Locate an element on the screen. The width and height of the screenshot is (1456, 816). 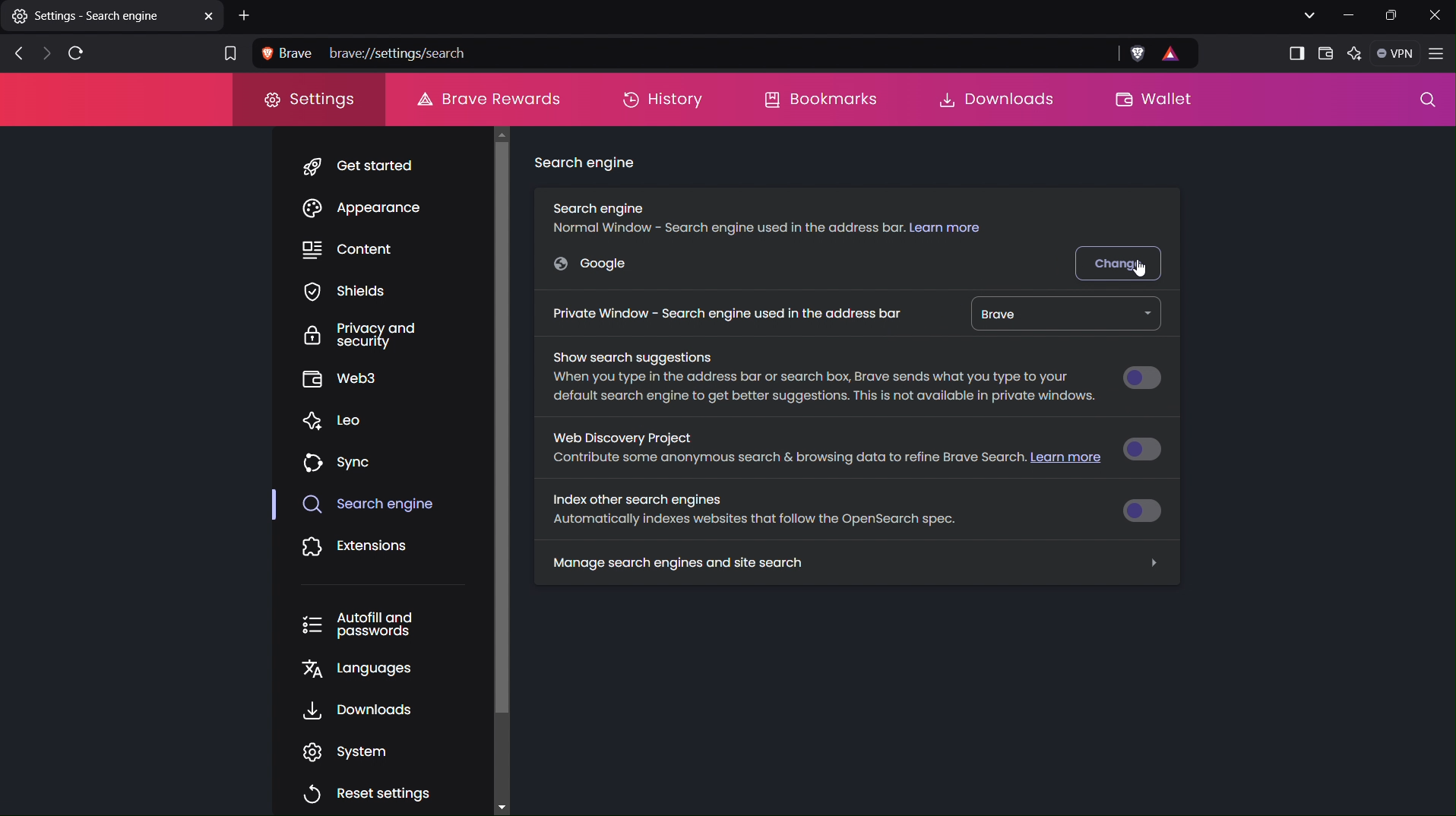
Rewards is located at coordinates (1179, 54).